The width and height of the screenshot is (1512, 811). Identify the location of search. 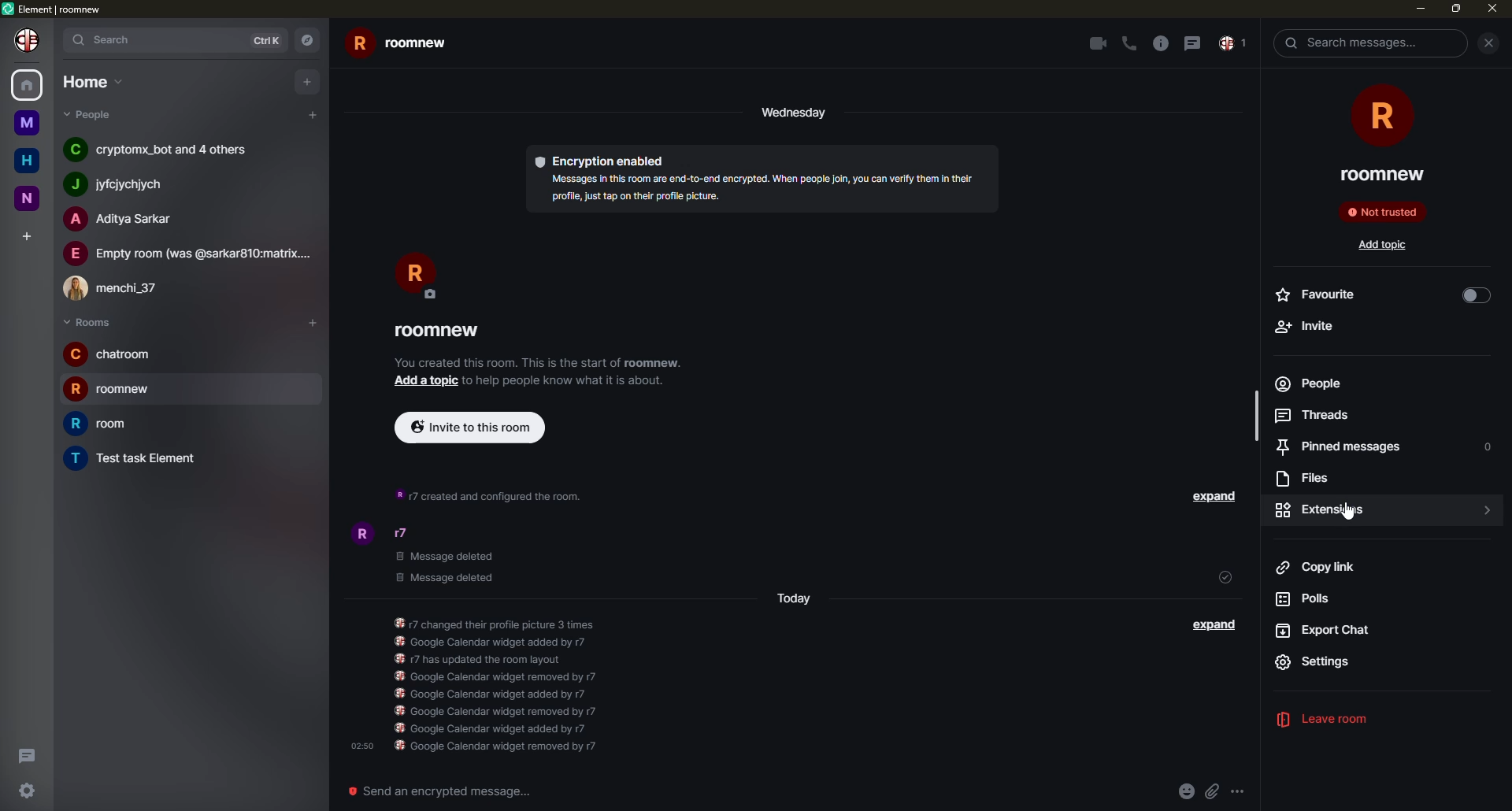
(106, 42).